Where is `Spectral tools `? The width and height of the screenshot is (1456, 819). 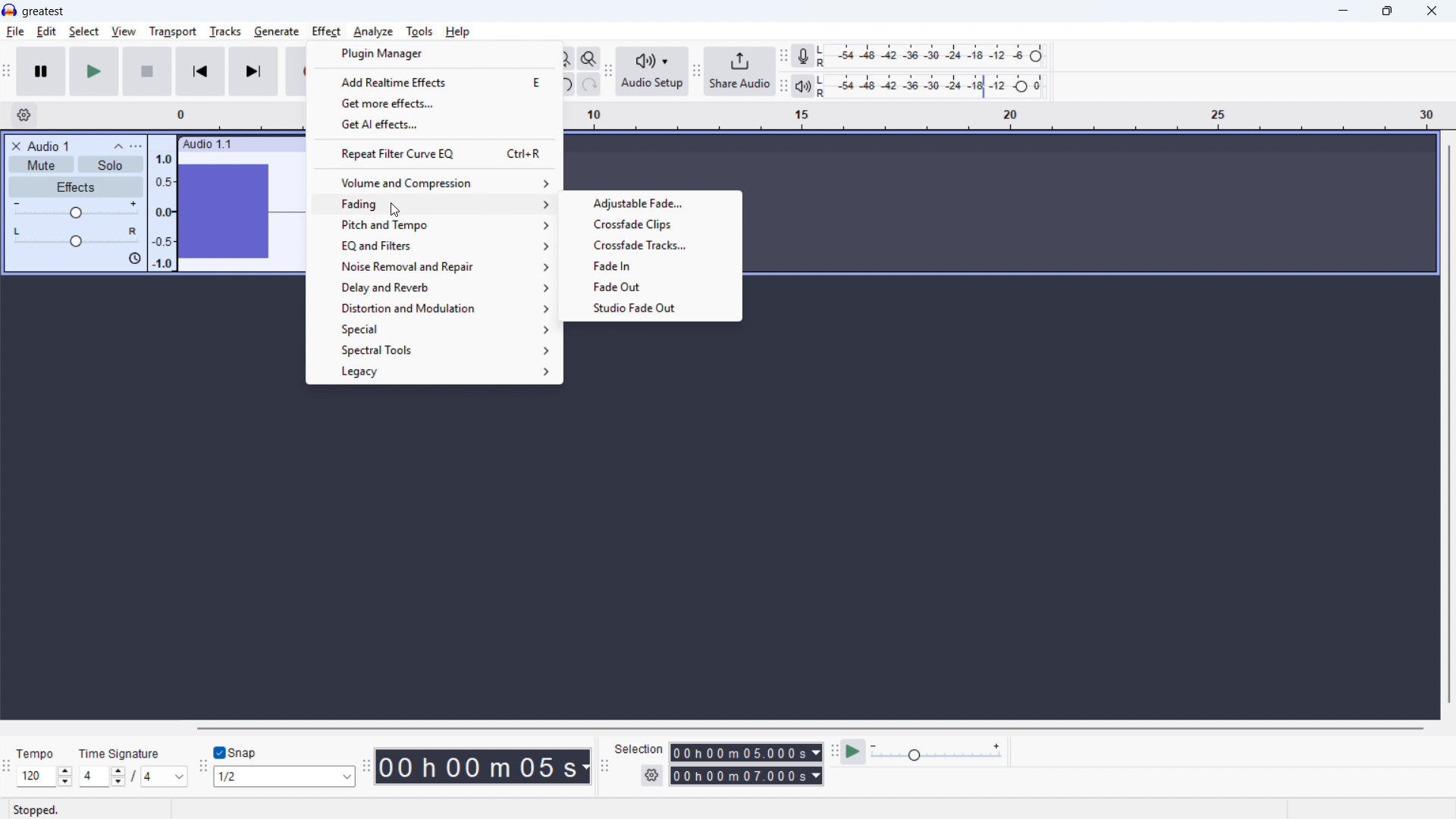
Spectral tools  is located at coordinates (435, 351).